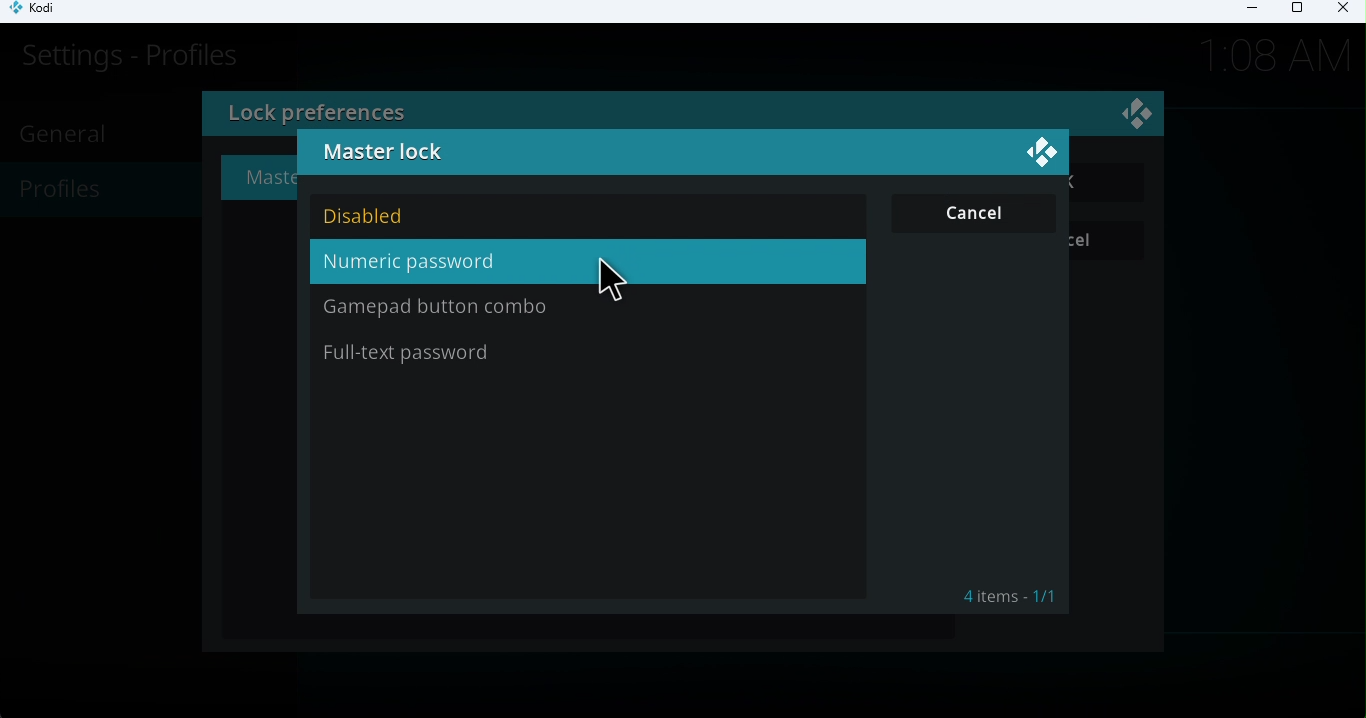  What do you see at coordinates (1296, 12) in the screenshot?
I see `Maximize` at bounding box center [1296, 12].